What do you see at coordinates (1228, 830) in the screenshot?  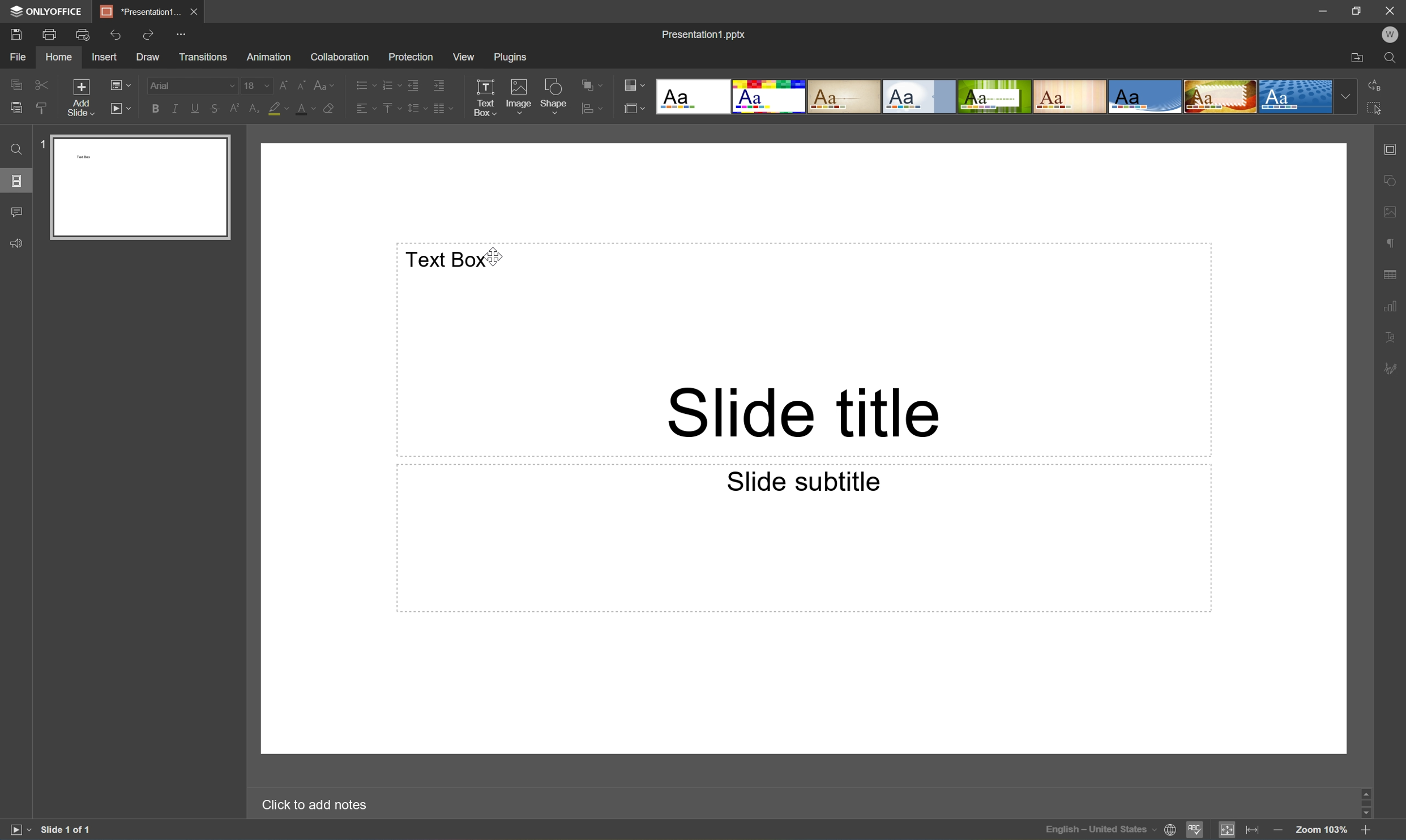 I see `Fit to slide` at bounding box center [1228, 830].